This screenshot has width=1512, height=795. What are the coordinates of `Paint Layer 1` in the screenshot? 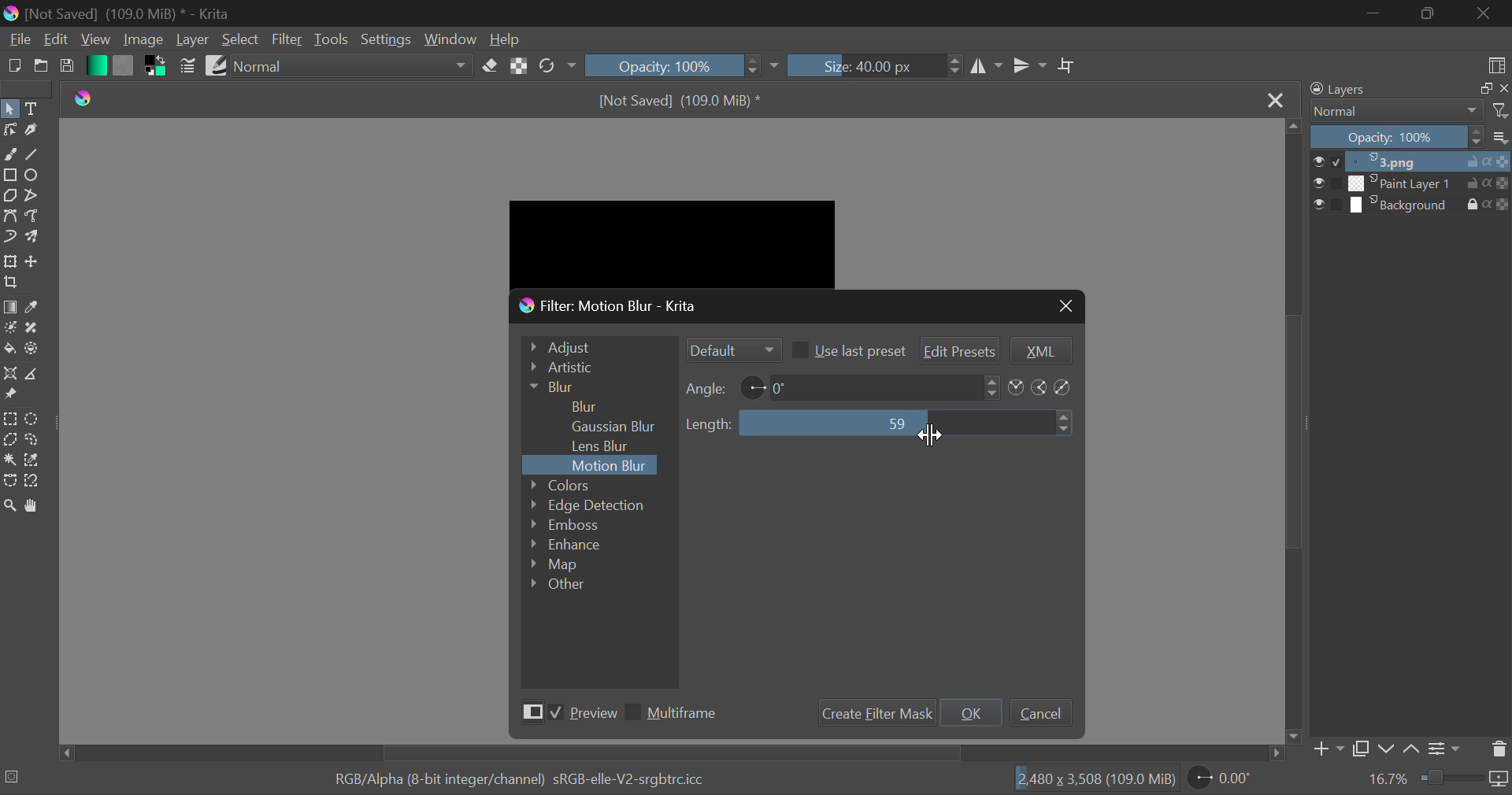 It's located at (1413, 183).